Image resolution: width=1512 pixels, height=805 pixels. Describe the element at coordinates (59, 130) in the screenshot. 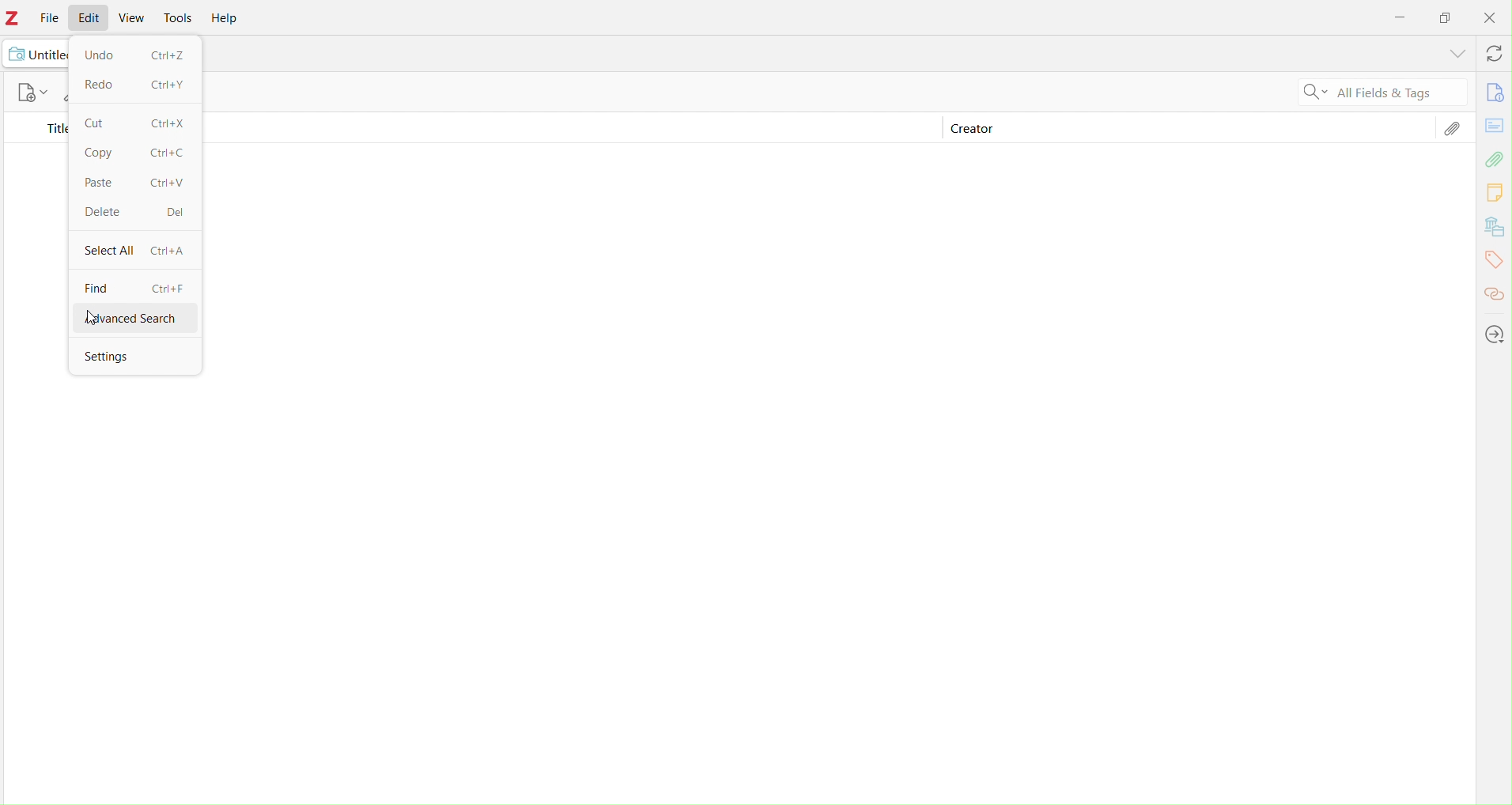

I see `Title` at that location.